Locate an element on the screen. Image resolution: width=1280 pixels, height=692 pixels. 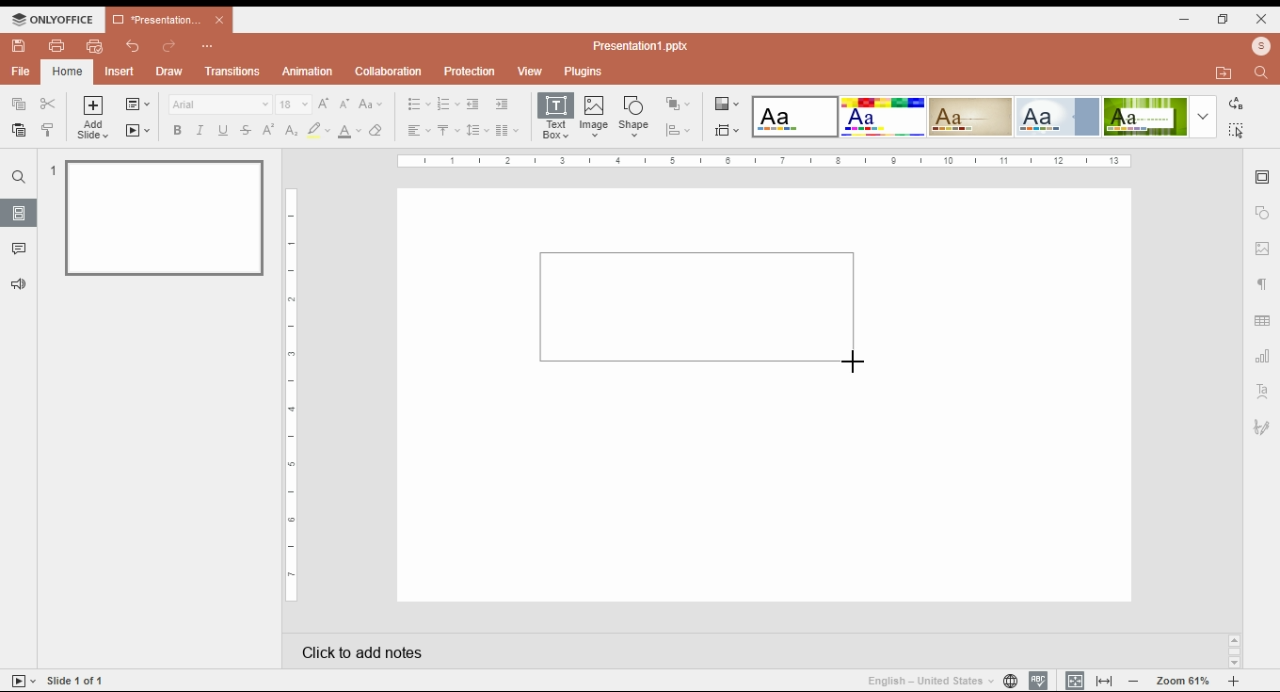
spell check is located at coordinates (1039, 681).